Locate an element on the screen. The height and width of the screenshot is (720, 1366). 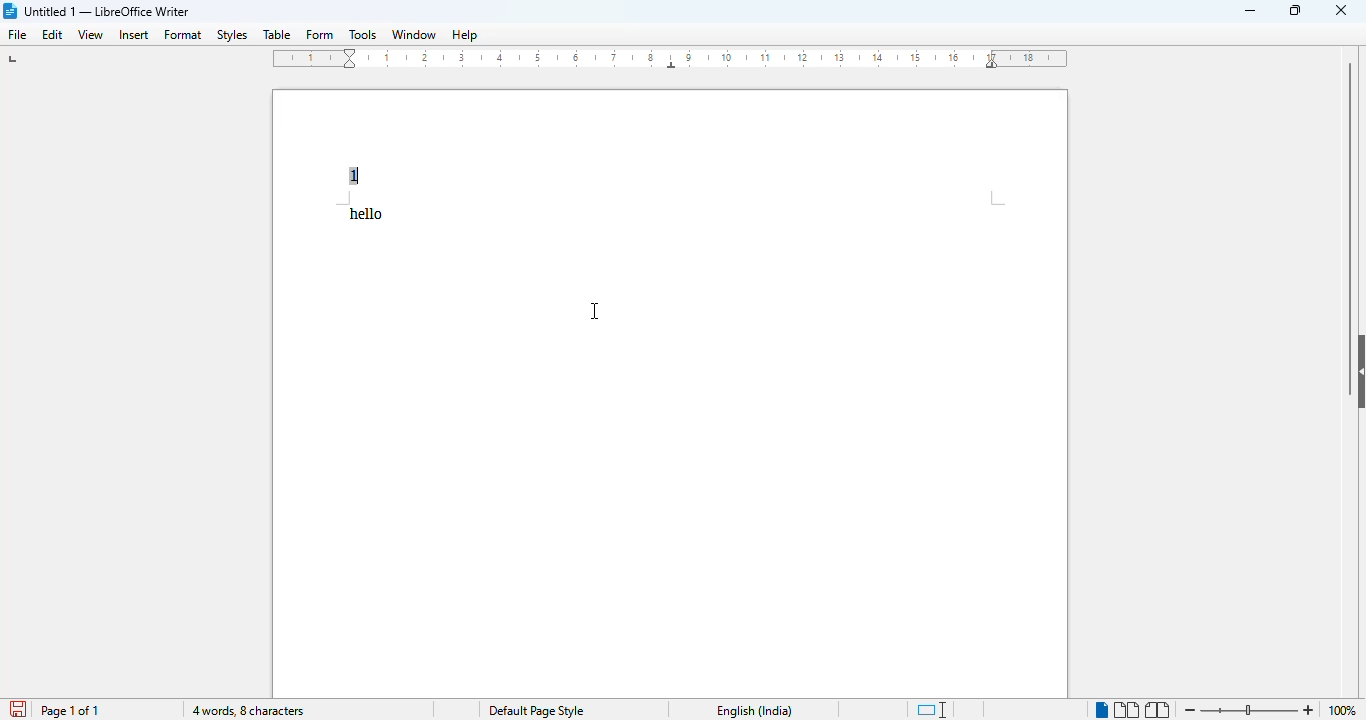
multi-page view is located at coordinates (1126, 710).